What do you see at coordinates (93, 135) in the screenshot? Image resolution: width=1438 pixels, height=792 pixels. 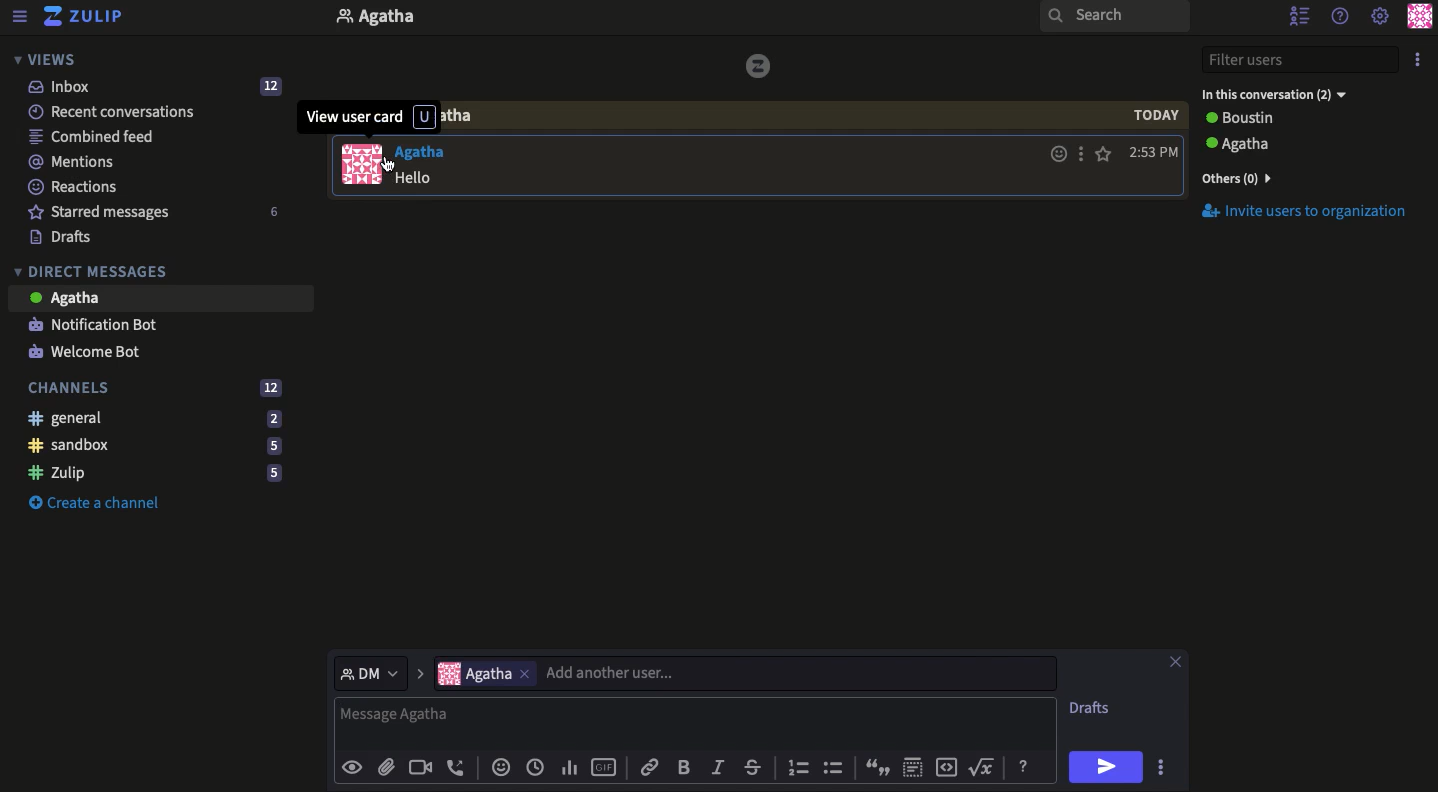 I see `Combined feed` at bounding box center [93, 135].